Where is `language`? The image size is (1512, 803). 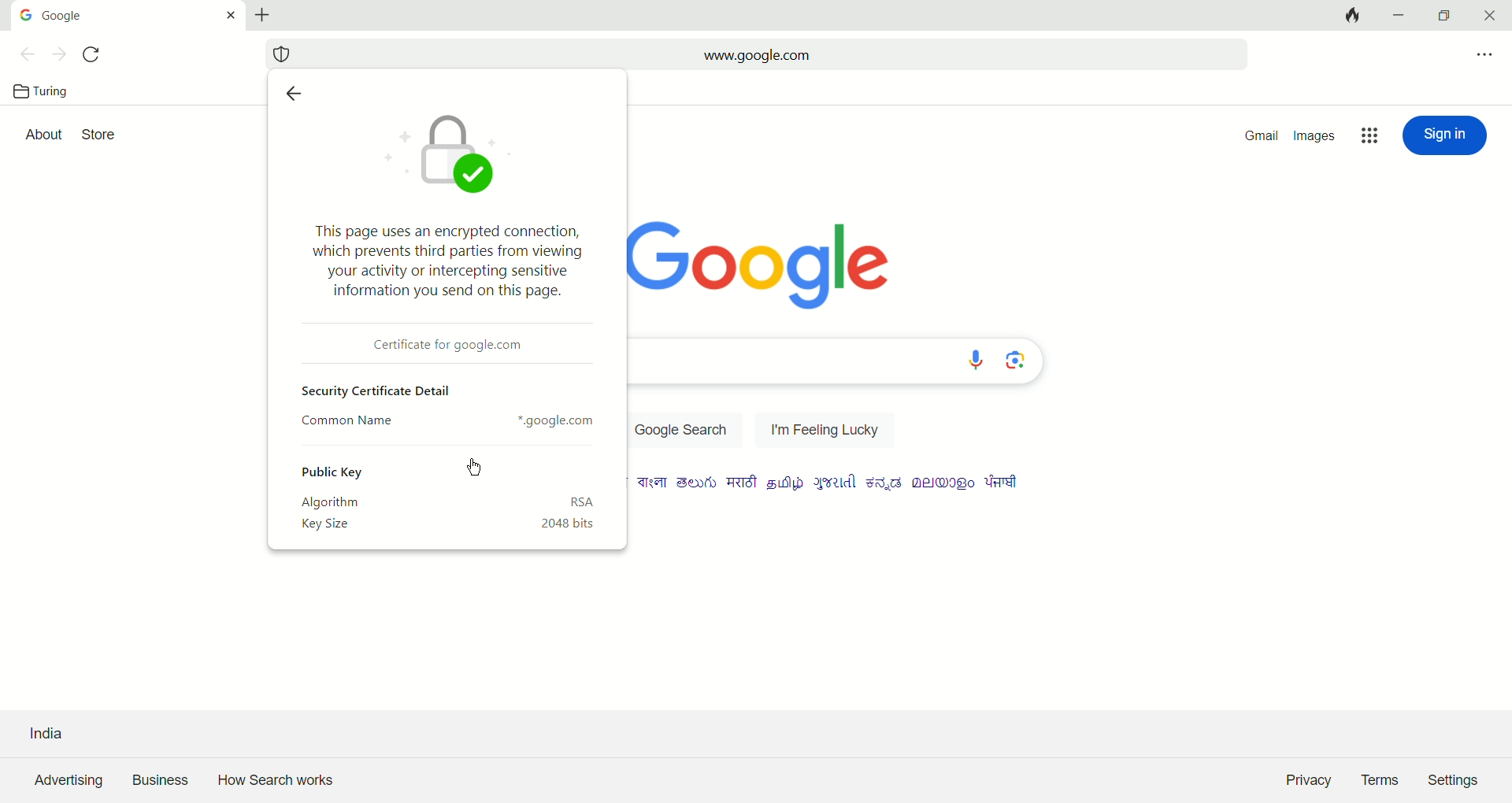
language is located at coordinates (698, 483).